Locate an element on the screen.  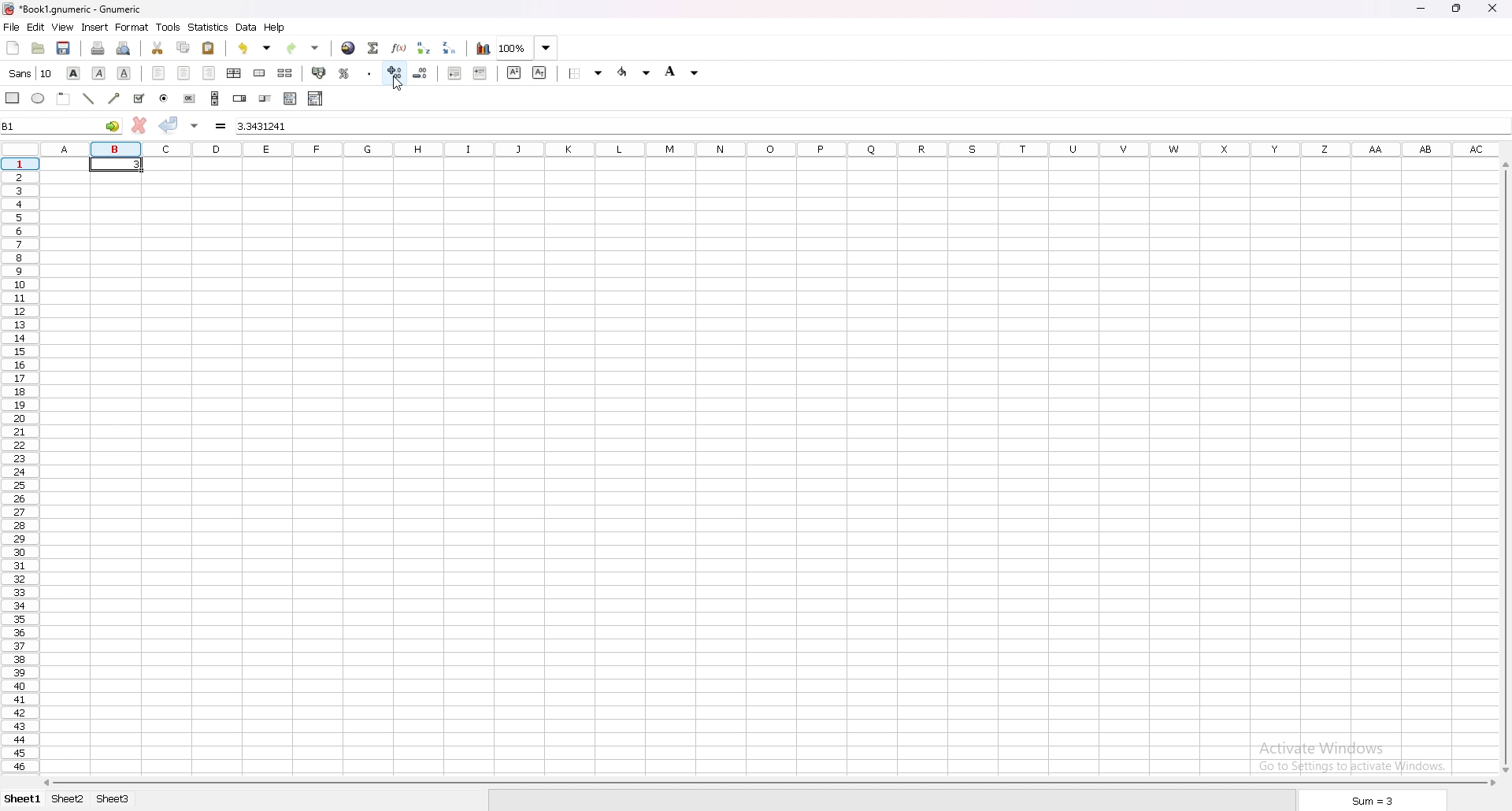
bold is located at coordinates (75, 72).